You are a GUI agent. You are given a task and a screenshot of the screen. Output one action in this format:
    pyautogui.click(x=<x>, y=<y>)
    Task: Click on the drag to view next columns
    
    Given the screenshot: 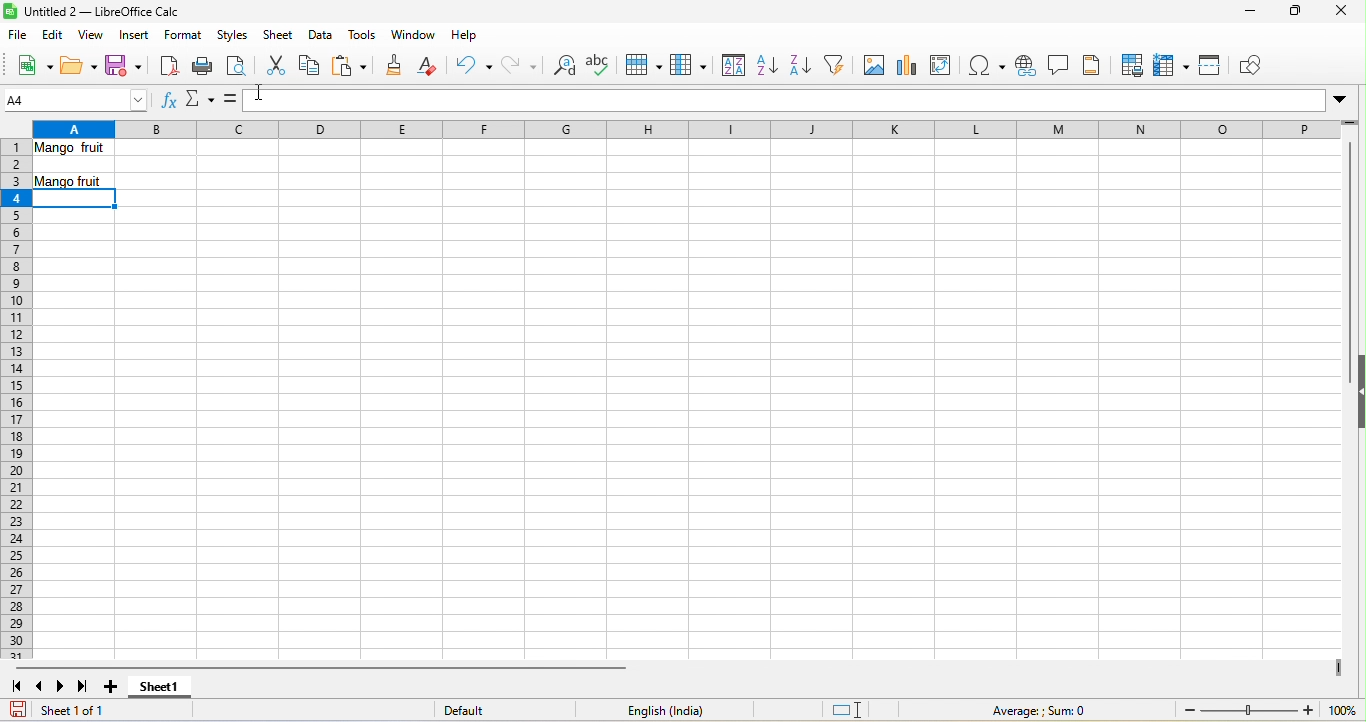 What is the action you would take?
    pyautogui.click(x=1341, y=668)
    